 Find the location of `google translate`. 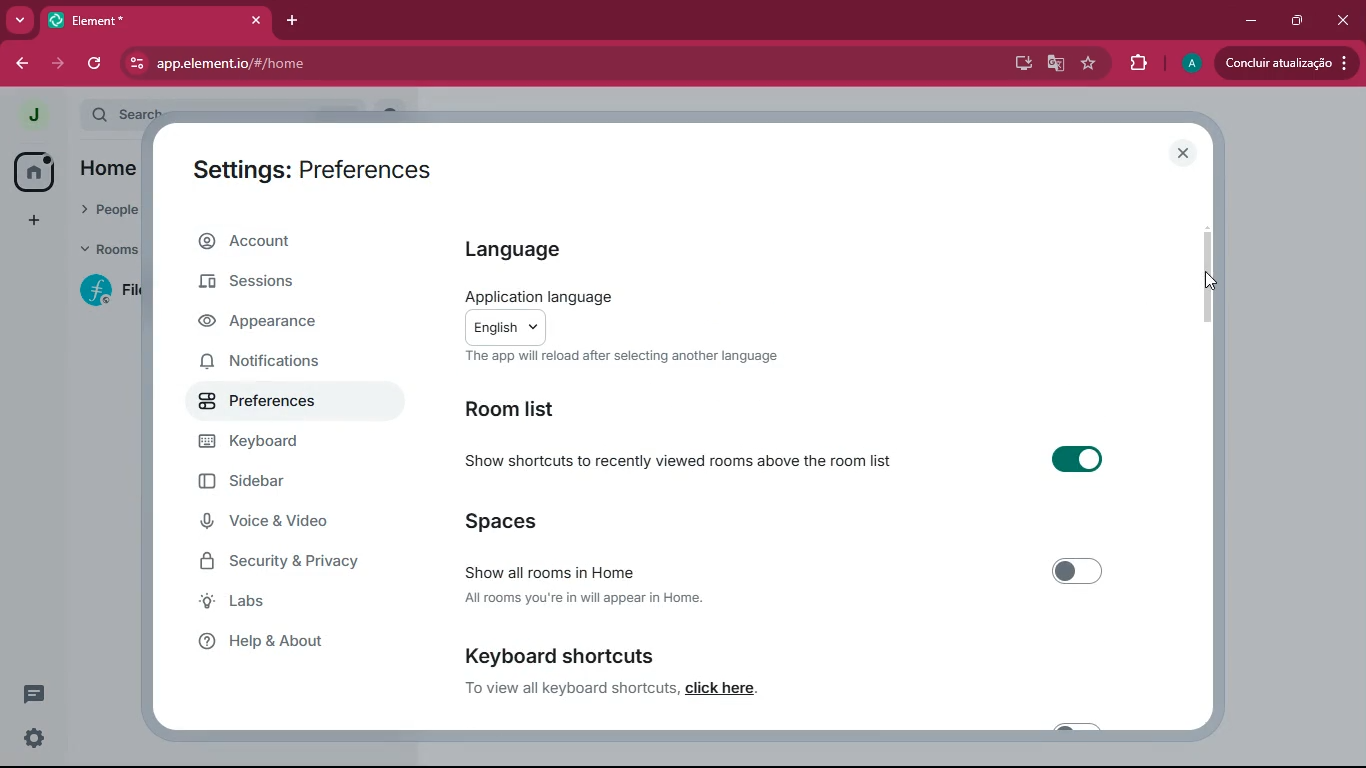

google translate is located at coordinates (1054, 66).